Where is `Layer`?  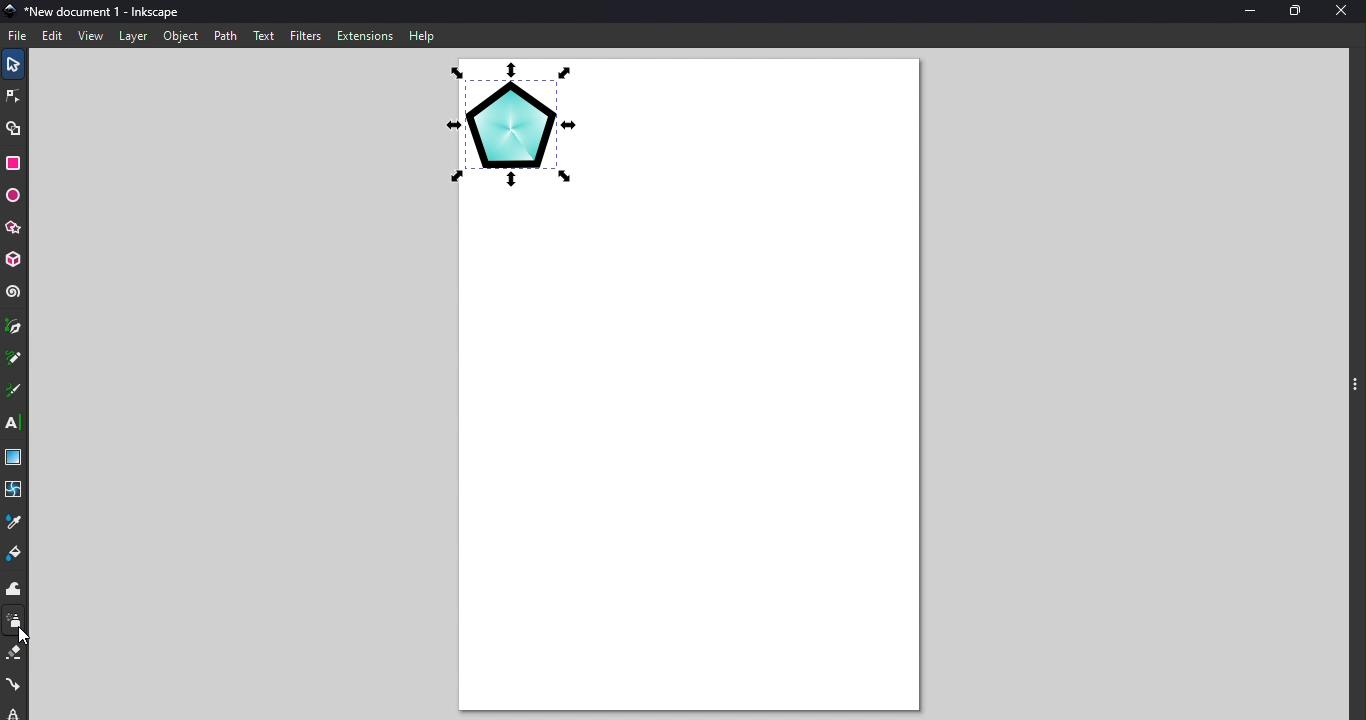
Layer is located at coordinates (132, 35).